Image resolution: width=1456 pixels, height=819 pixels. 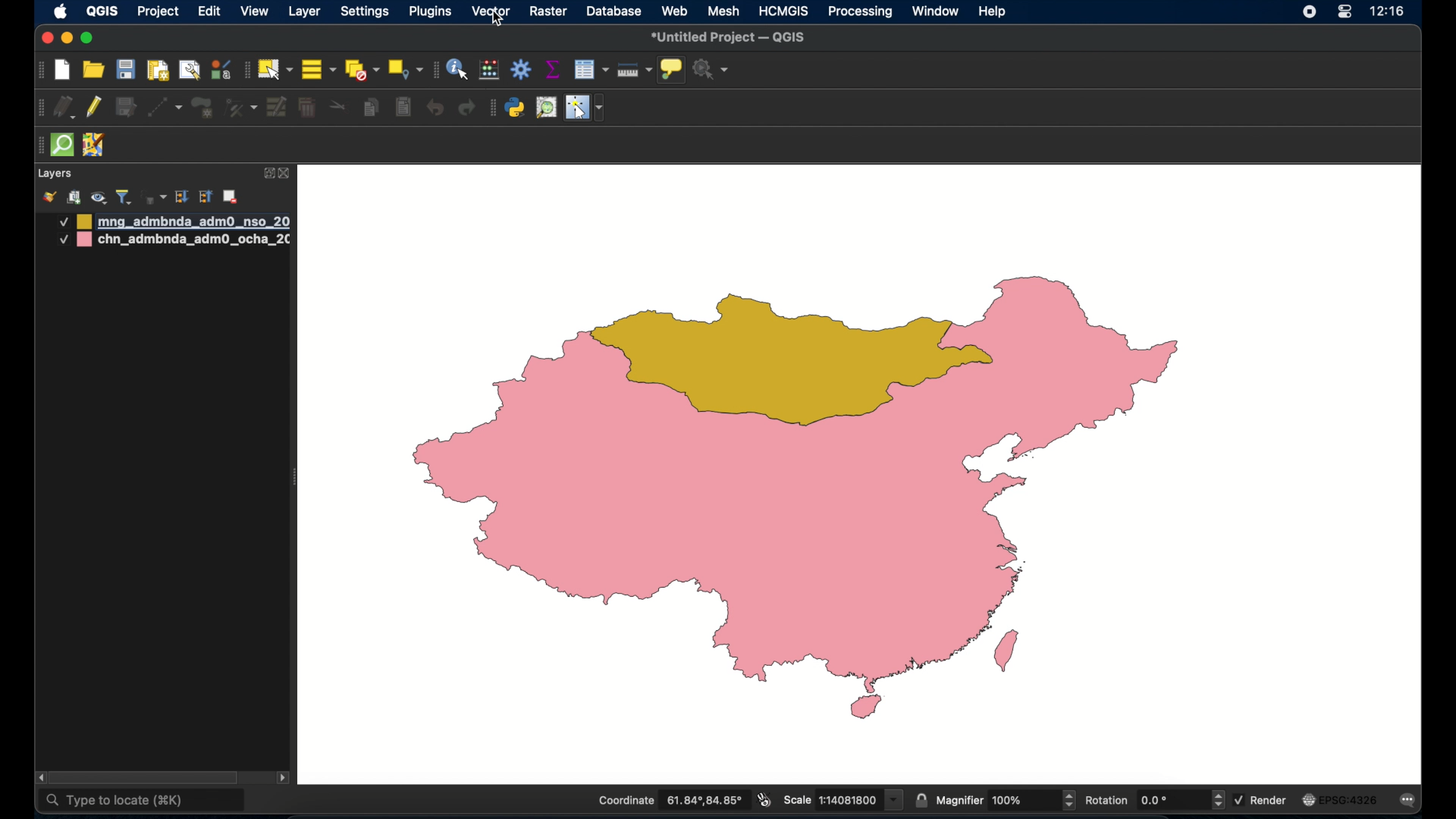 What do you see at coordinates (233, 196) in the screenshot?
I see `remove layer/group` at bounding box center [233, 196].